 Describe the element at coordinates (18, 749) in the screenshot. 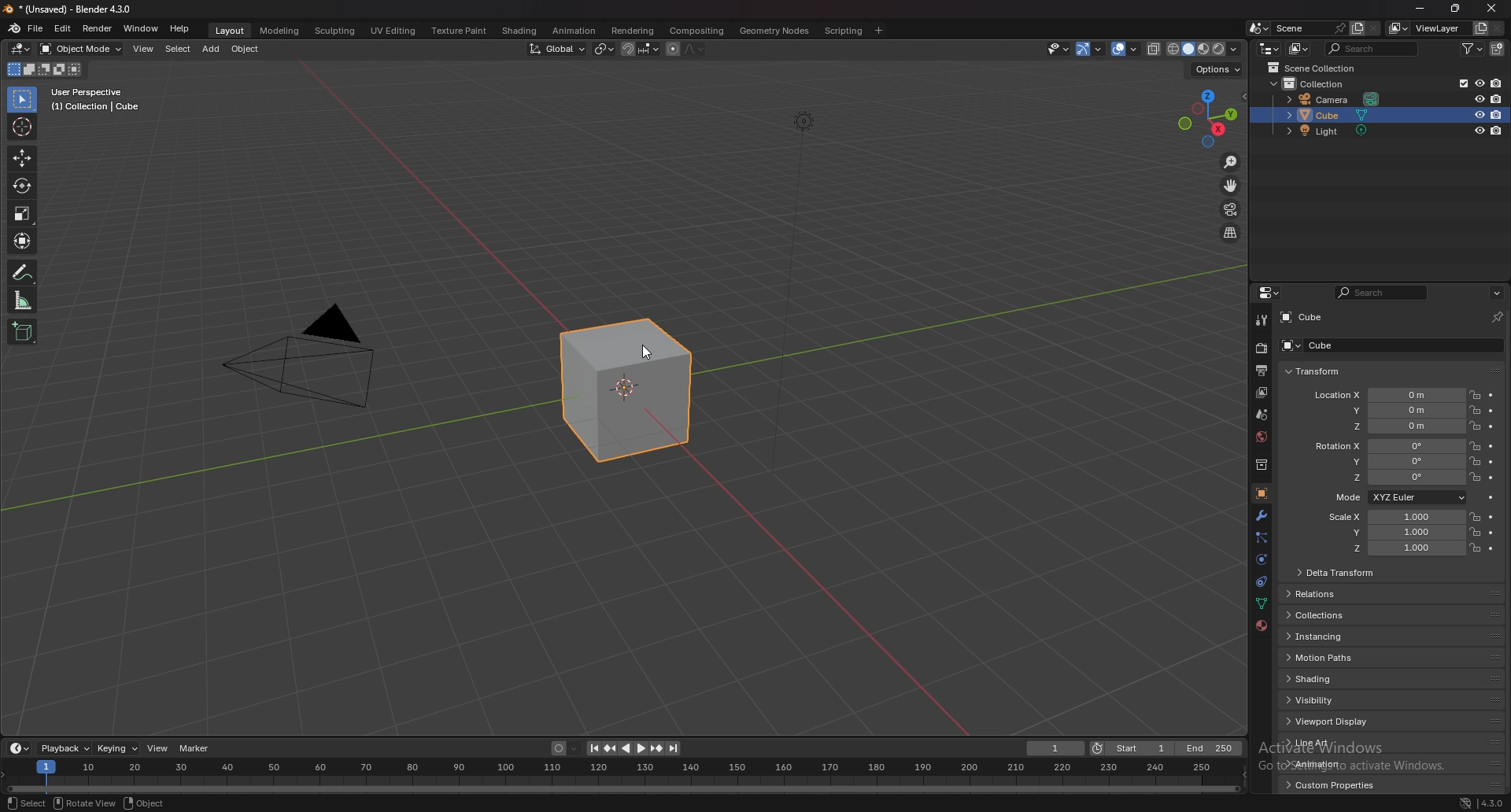

I see `editor type` at that location.